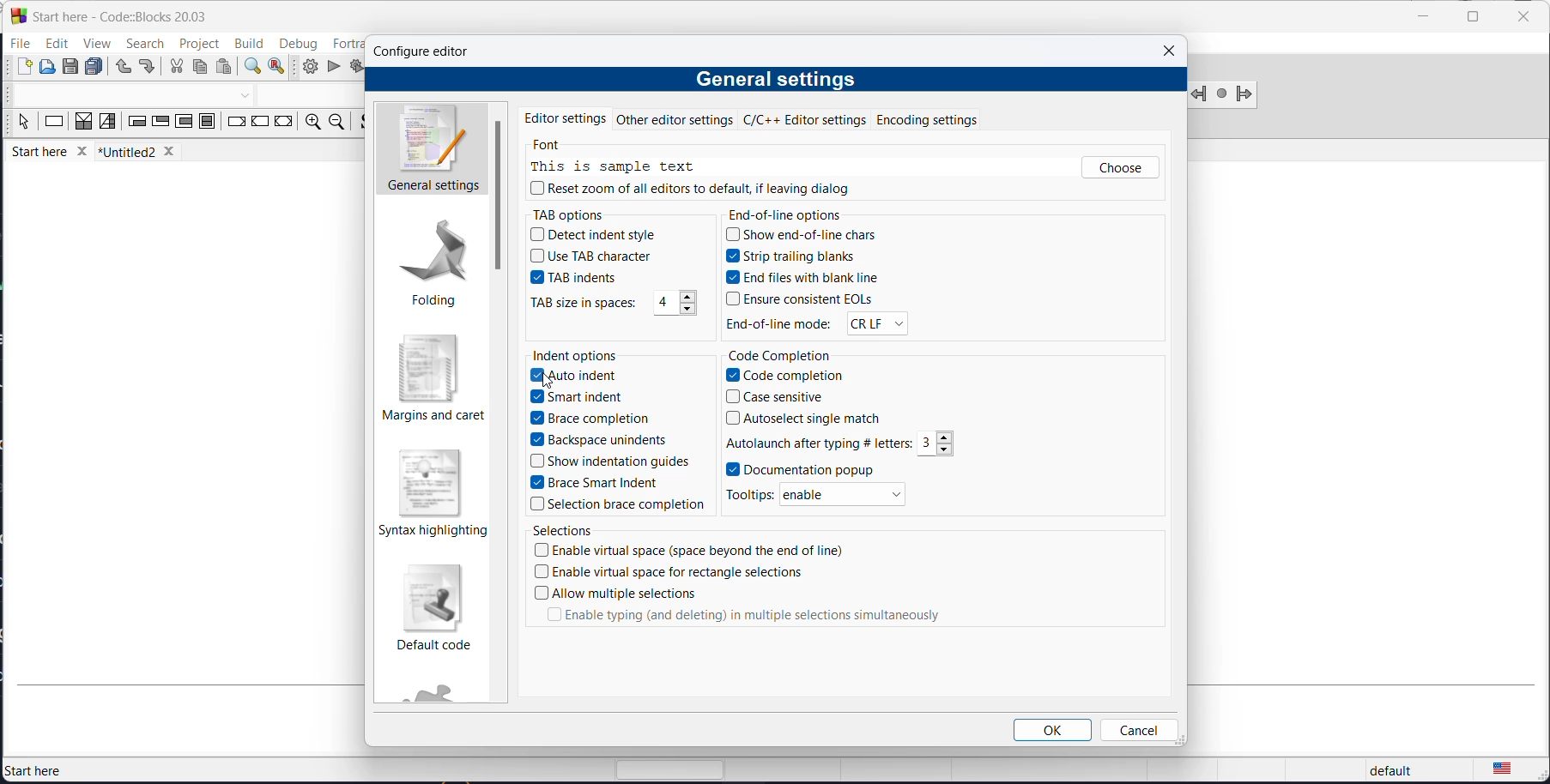  I want to click on continue instruction, so click(260, 124).